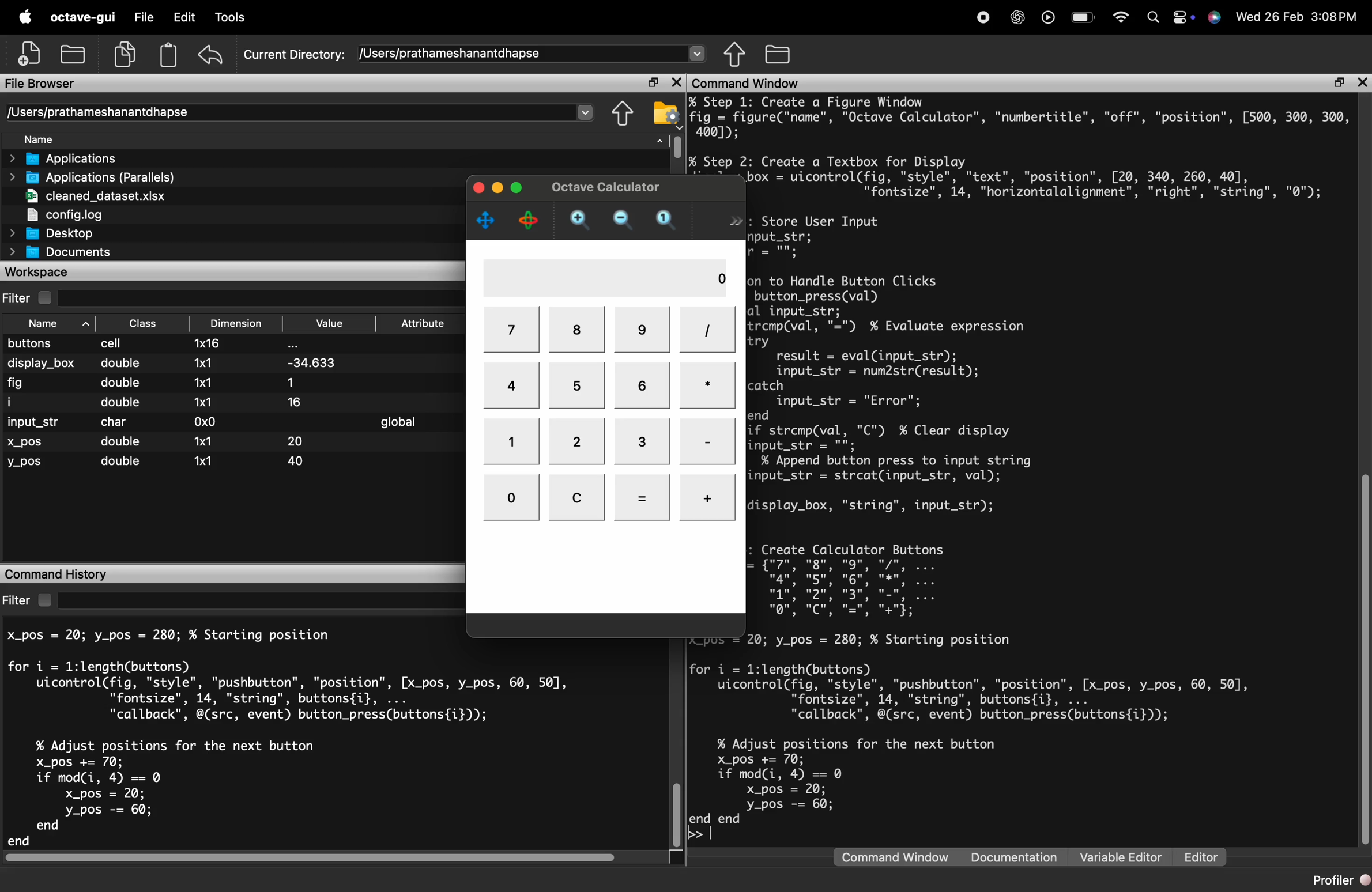 The image size is (1372, 892). What do you see at coordinates (290, 736) in the screenshot?
I see `X_pos = 20; y_pos = 280; % Starting position
for i = 1l:length(buttons)
uicontrol(fig, "style", "pushbutton", "position", [x_pos, y_pos, 60, 50],
"fontsize", 14, "string", buttons{i}, ...
"callback", @(src, event) button_press(buttons{i}));
% Adjust positions for the next button
X_pos += 70;
if mod(i, 4) == 0
X_pos = 20;
y_pos -= 60;
end
end` at bounding box center [290, 736].